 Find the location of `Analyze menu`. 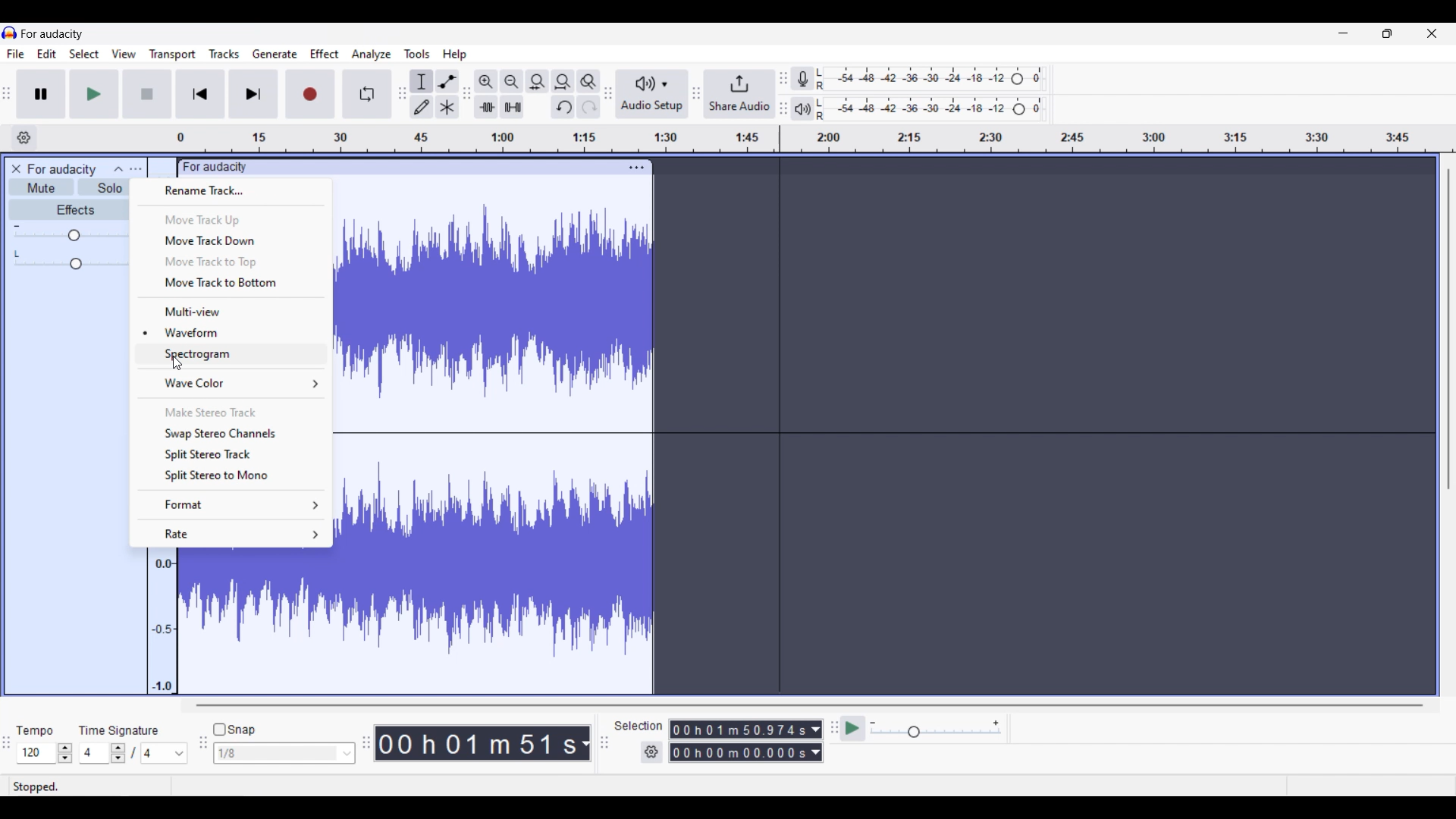

Analyze menu is located at coordinates (372, 55).